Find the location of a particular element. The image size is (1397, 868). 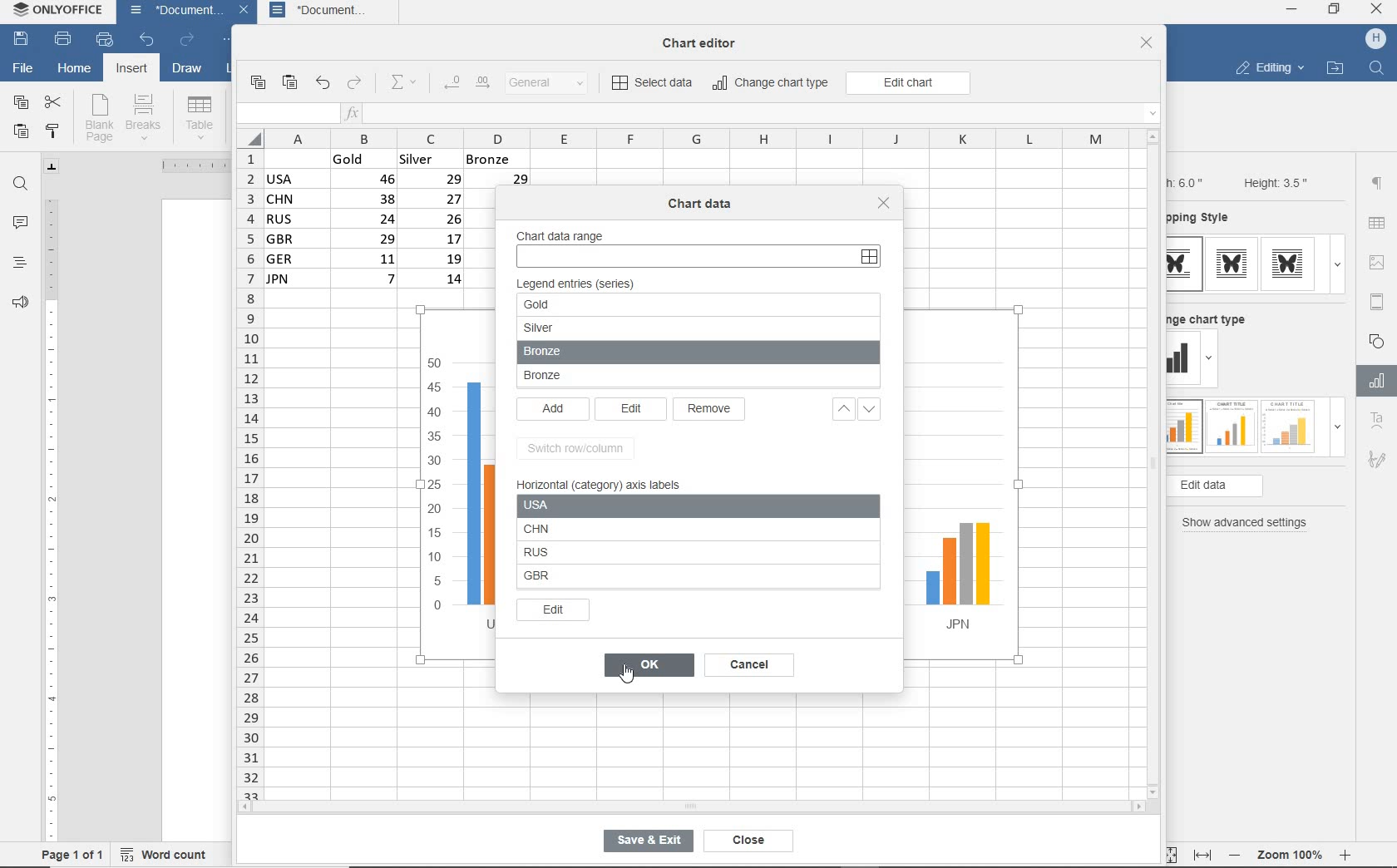

edit data is located at coordinates (1242, 486).